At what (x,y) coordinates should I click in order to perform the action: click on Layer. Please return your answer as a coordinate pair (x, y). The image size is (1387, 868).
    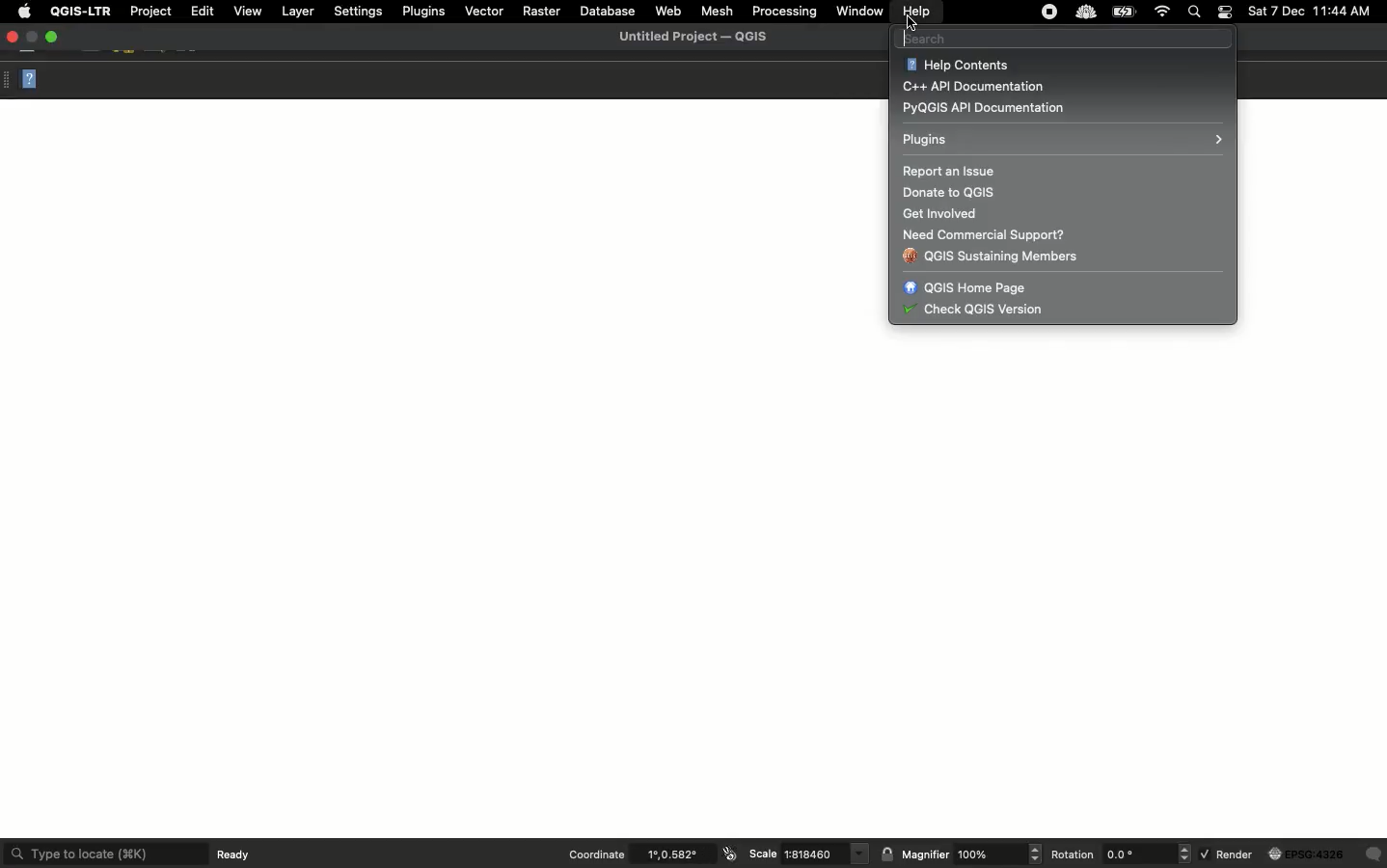
    Looking at the image, I should click on (297, 10).